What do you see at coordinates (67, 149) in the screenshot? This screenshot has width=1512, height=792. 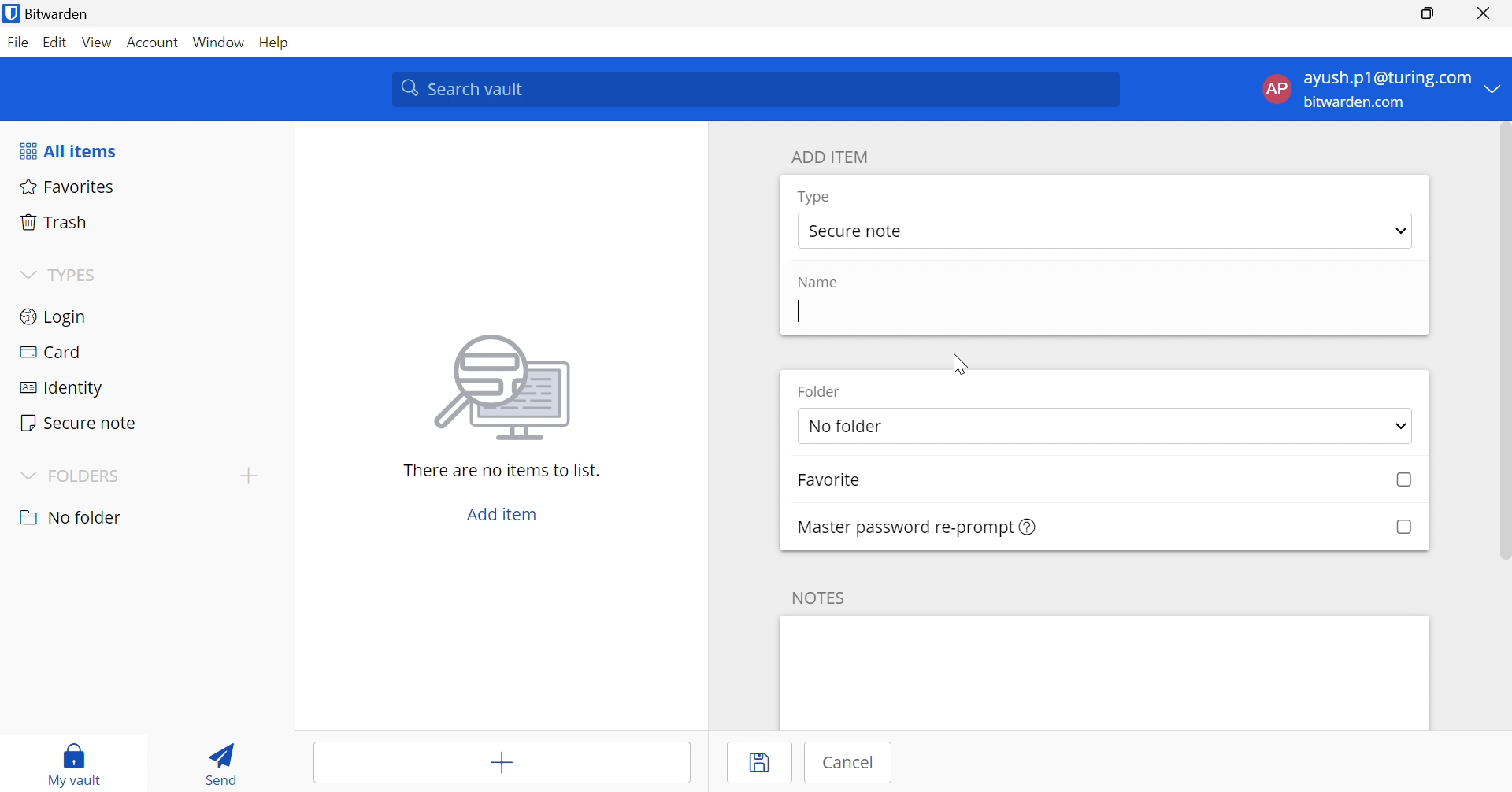 I see `All items` at bounding box center [67, 149].